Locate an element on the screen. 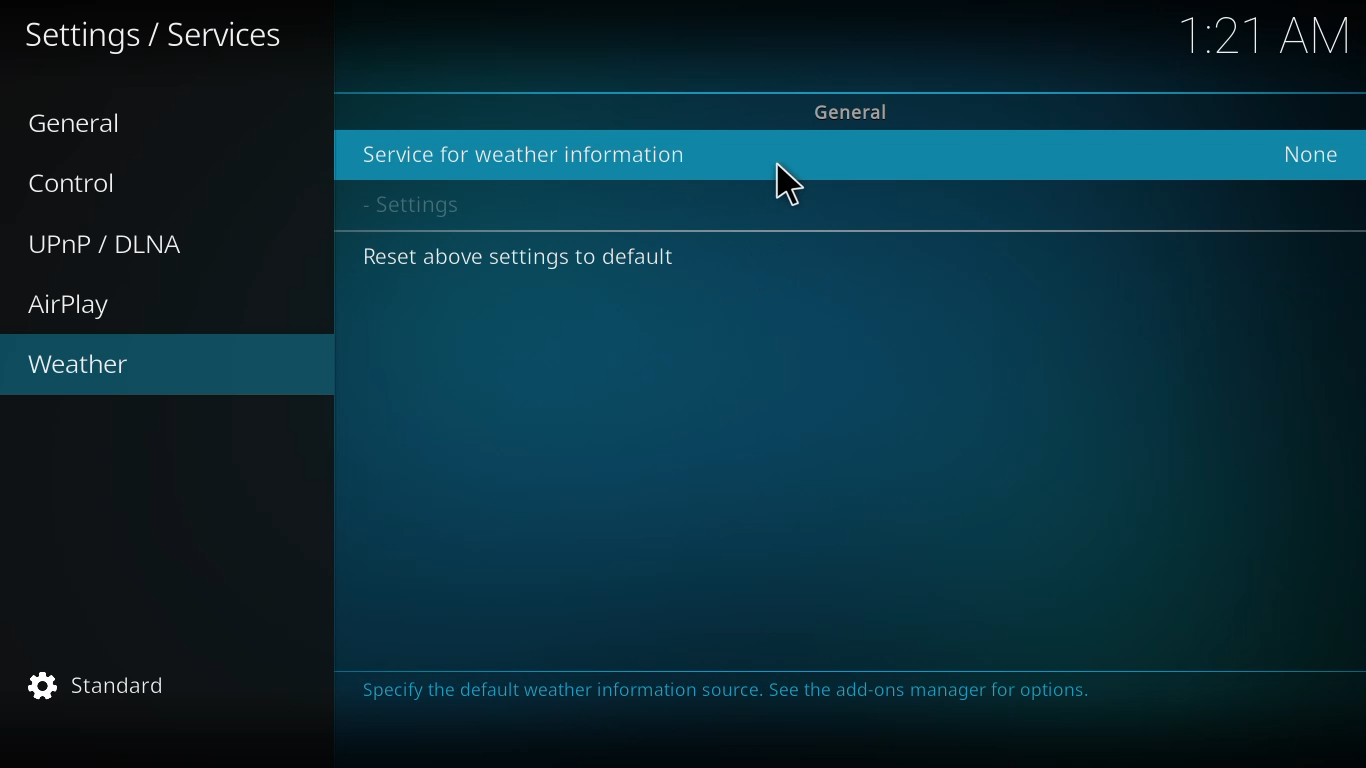 Image resolution: width=1366 pixels, height=768 pixels. service for weather info is located at coordinates (522, 155).